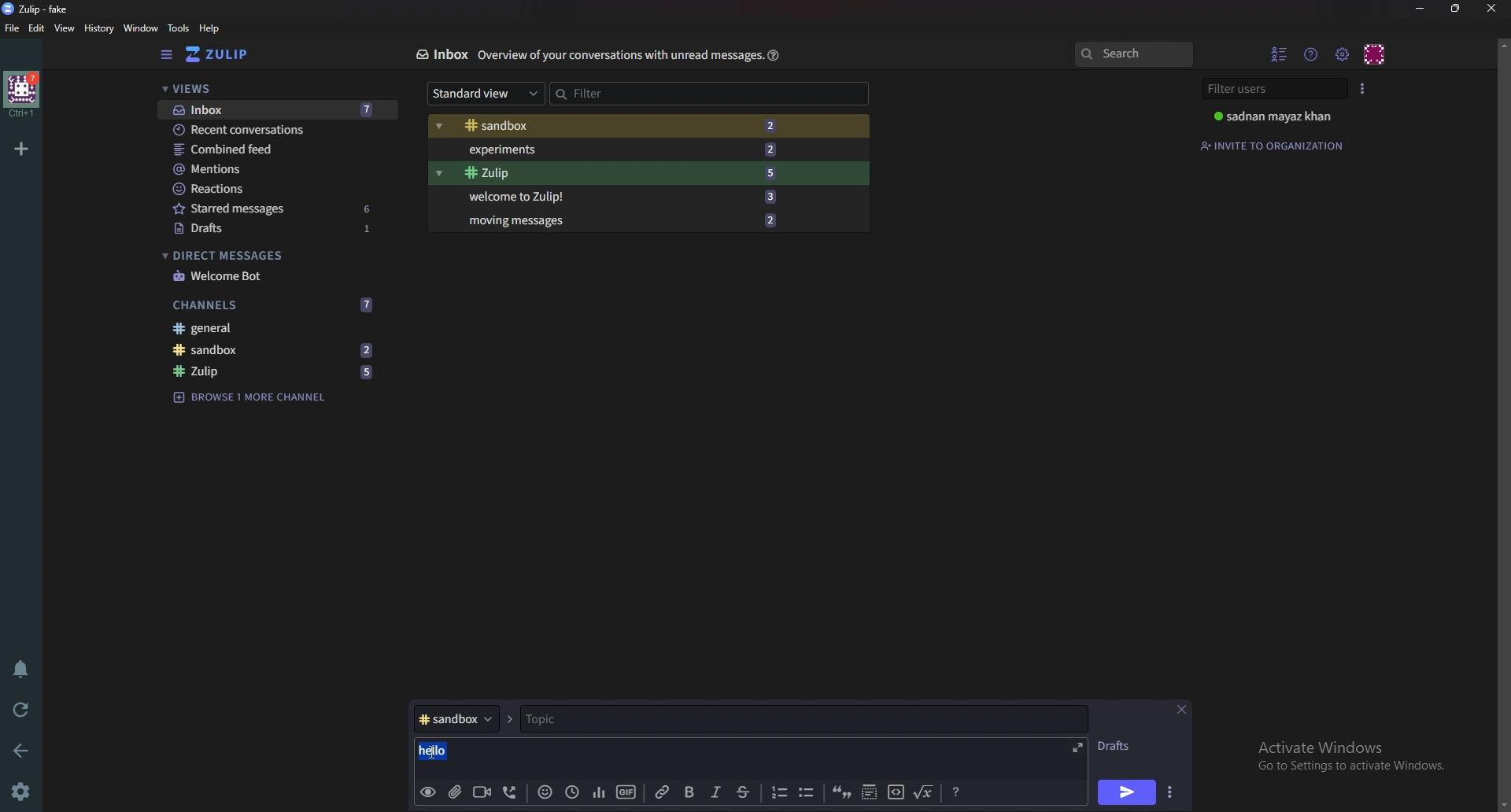 The height and width of the screenshot is (812, 1511). I want to click on Window, so click(142, 28).